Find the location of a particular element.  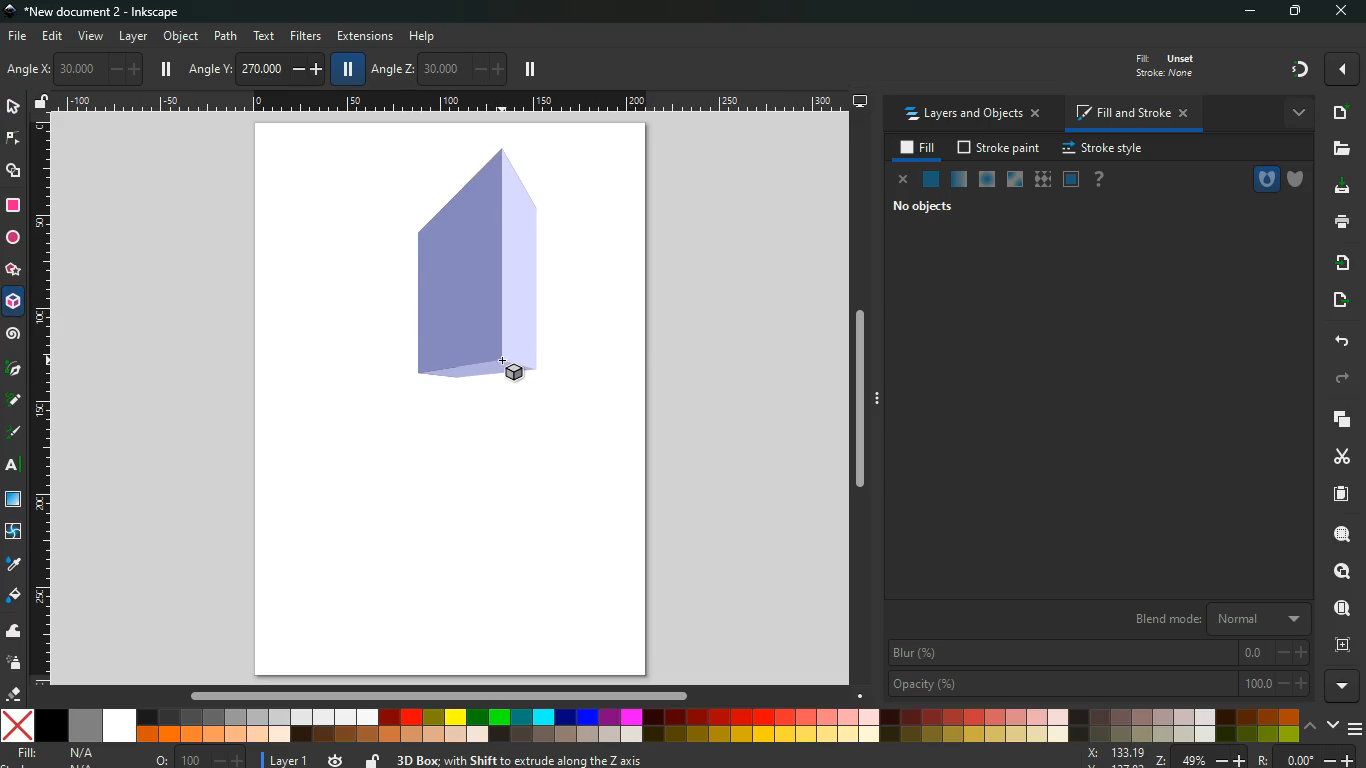

color is located at coordinates (651, 725).